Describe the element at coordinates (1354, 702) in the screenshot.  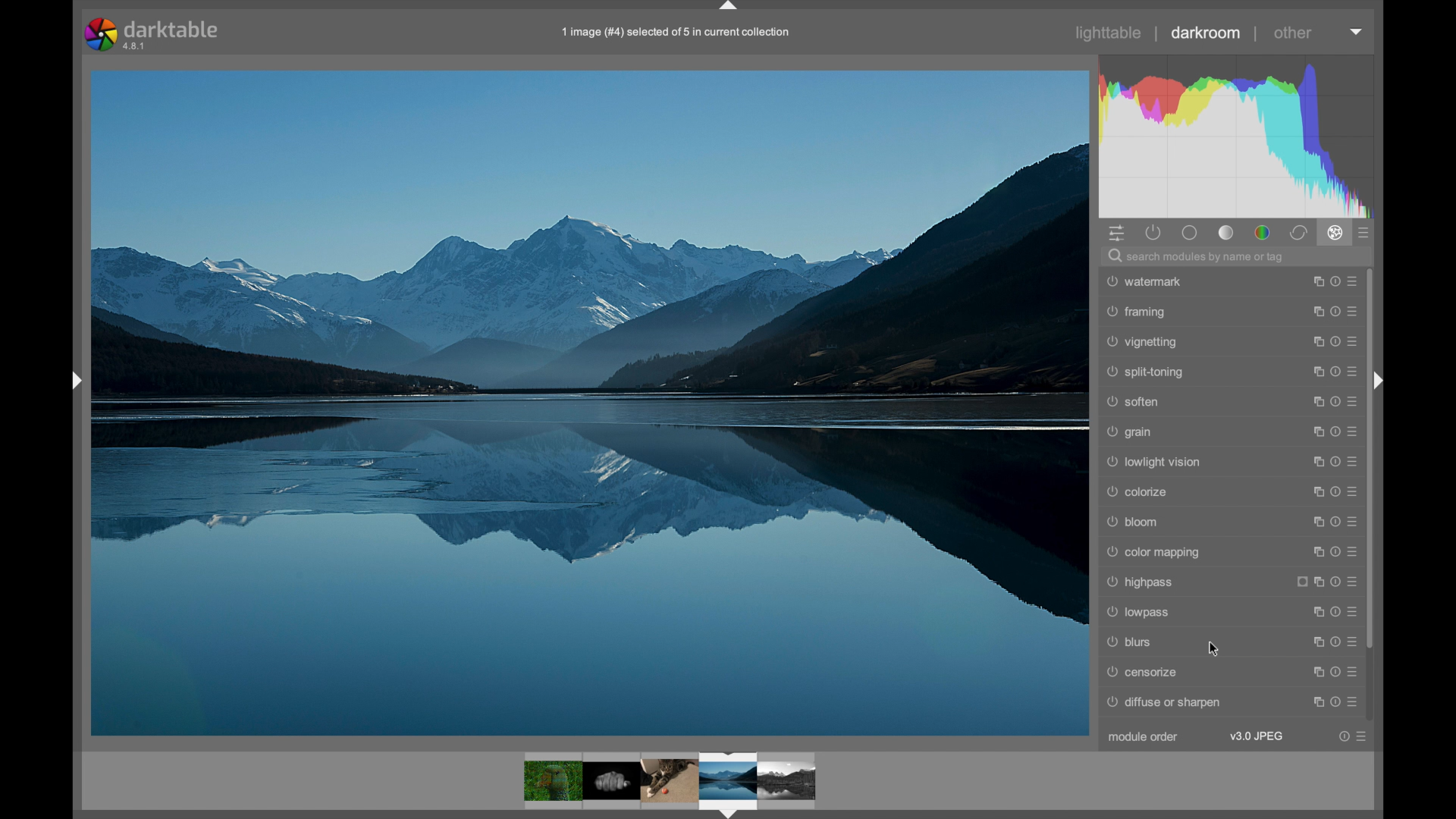
I see `more options` at that location.